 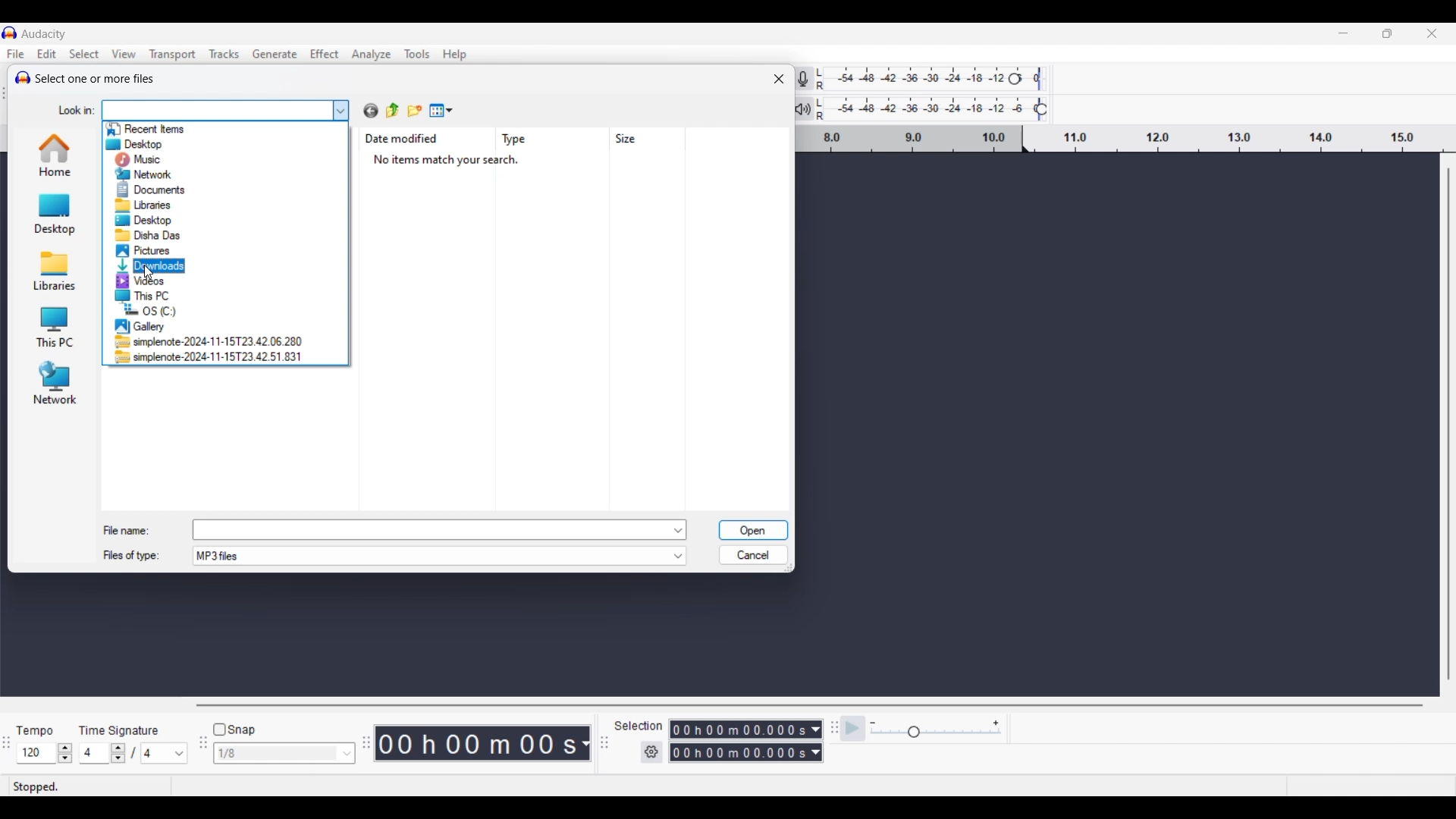 What do you see at coordinates (371, 111) in the screenshot?
I see `Go to last folder visited` at bounding box center [371, 111].